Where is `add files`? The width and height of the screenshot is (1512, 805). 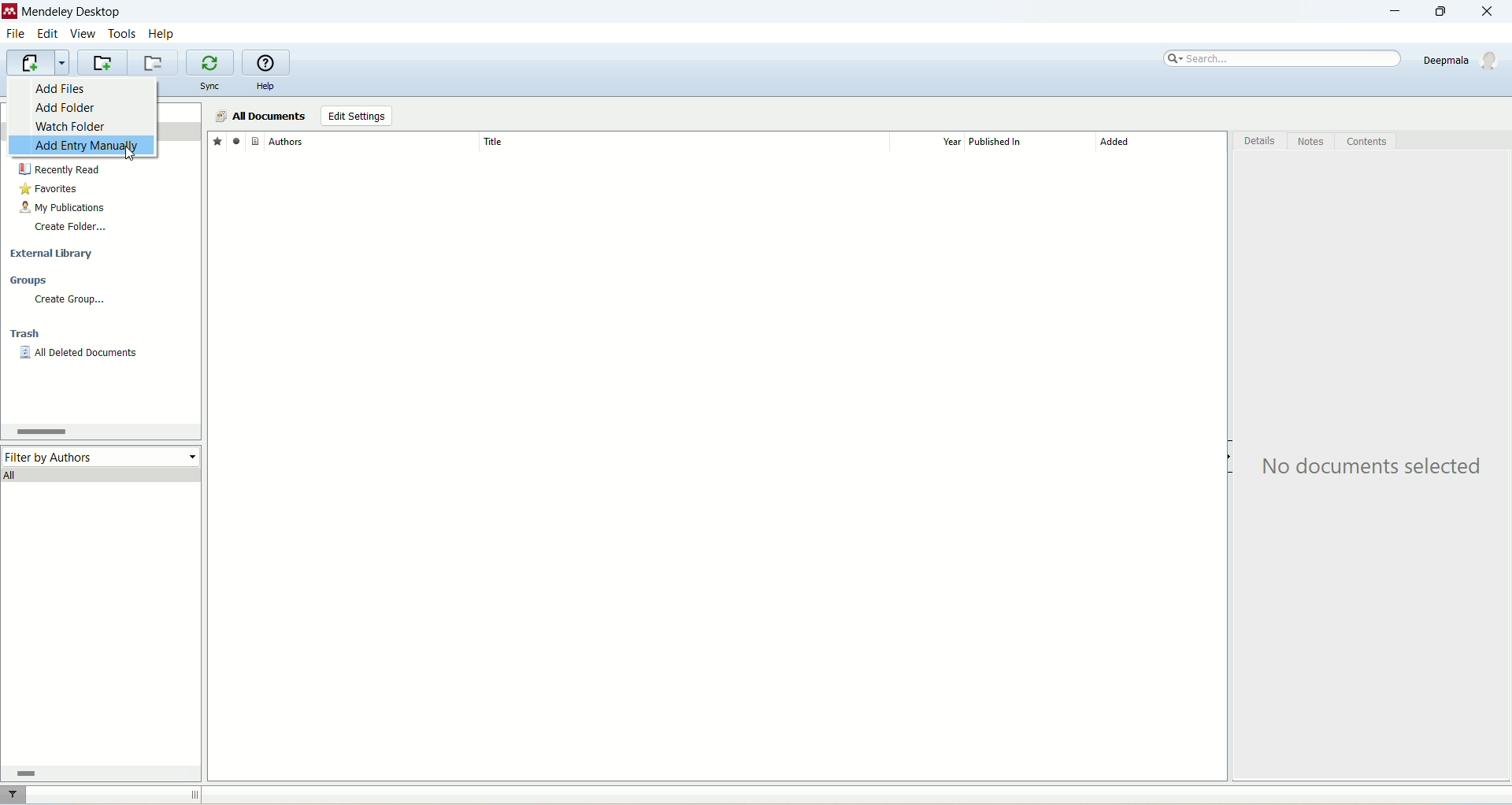 add files is located at coordinates (68, 88).